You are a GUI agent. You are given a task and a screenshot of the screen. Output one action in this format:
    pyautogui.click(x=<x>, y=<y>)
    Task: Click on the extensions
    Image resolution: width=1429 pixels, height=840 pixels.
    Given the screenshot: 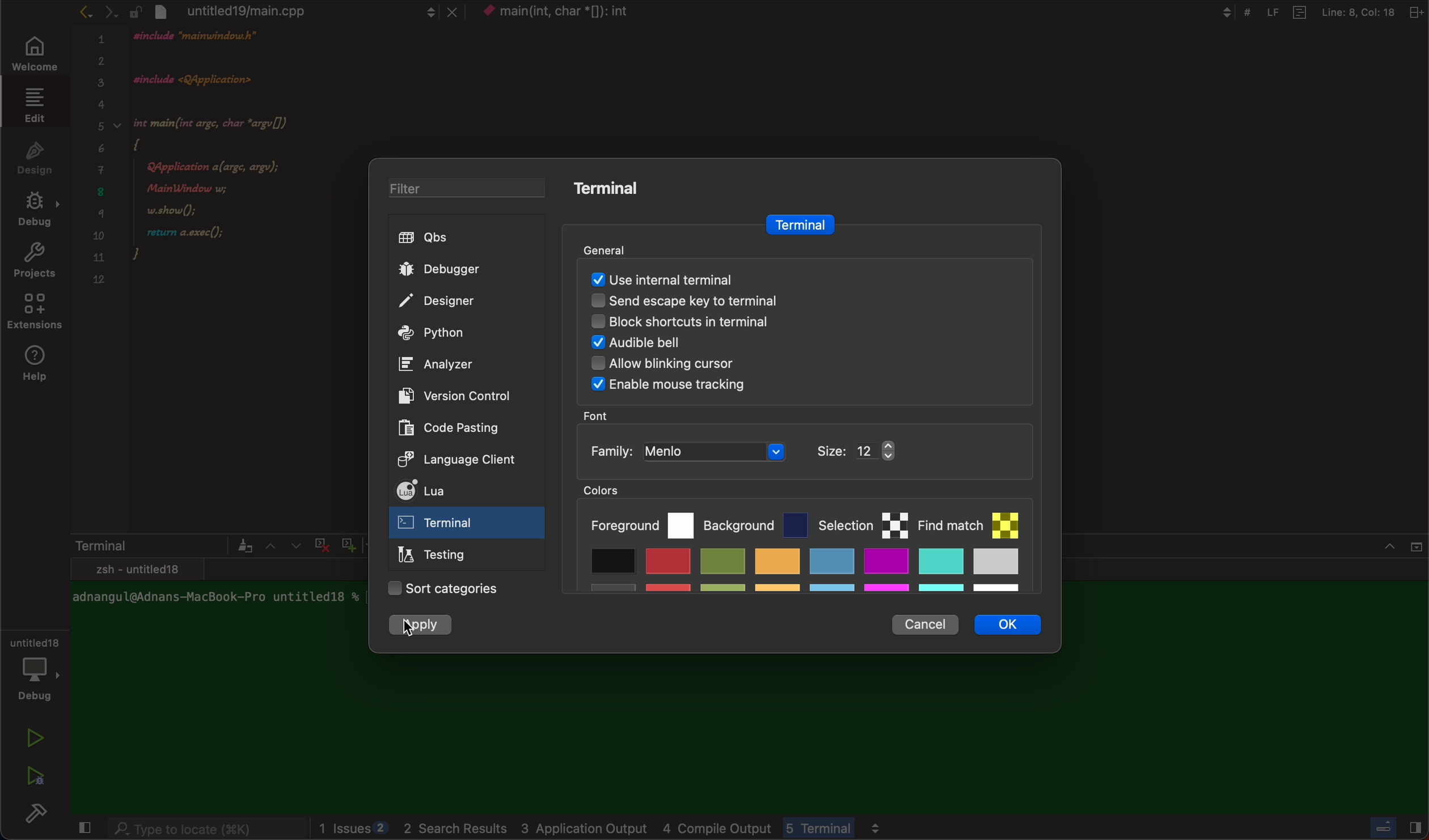 What is the action you would take?
    pyautogui.click(x=36, y=315)
    